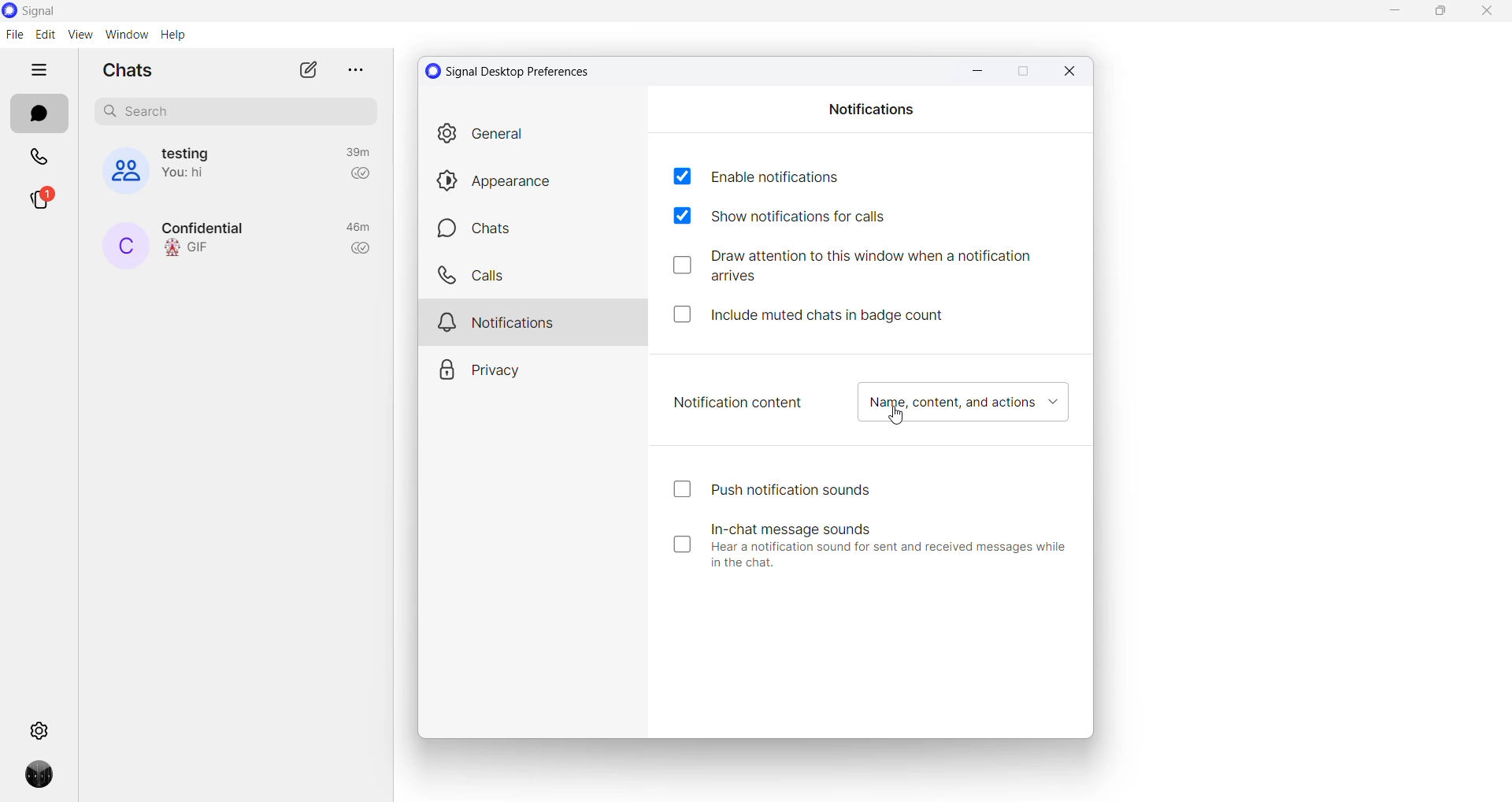 This screenshot has height=802, width=1512. I want to click on chats, so click(535, 229).